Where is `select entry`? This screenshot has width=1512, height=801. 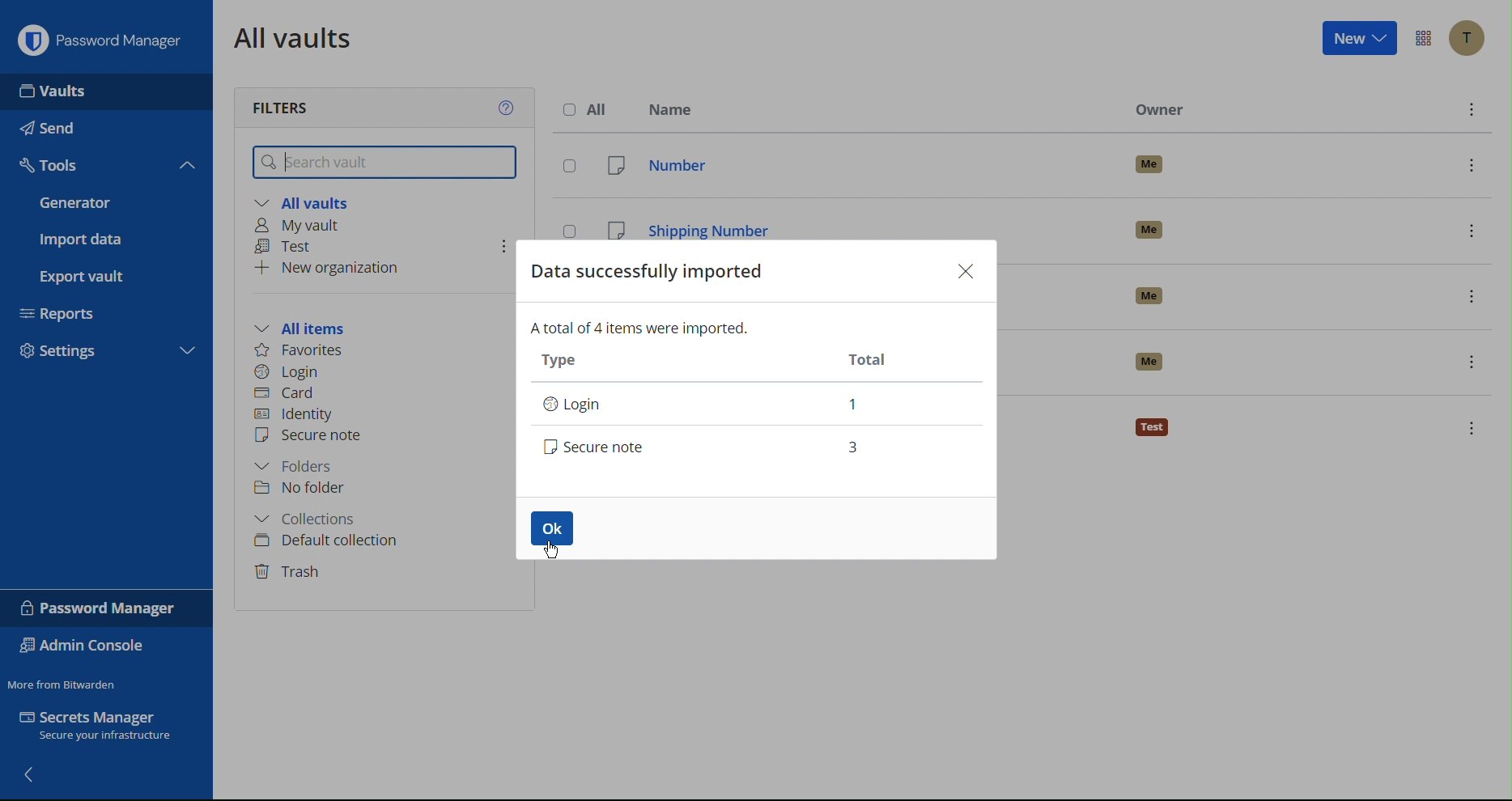
select entry is located at coordinates (567, 165).